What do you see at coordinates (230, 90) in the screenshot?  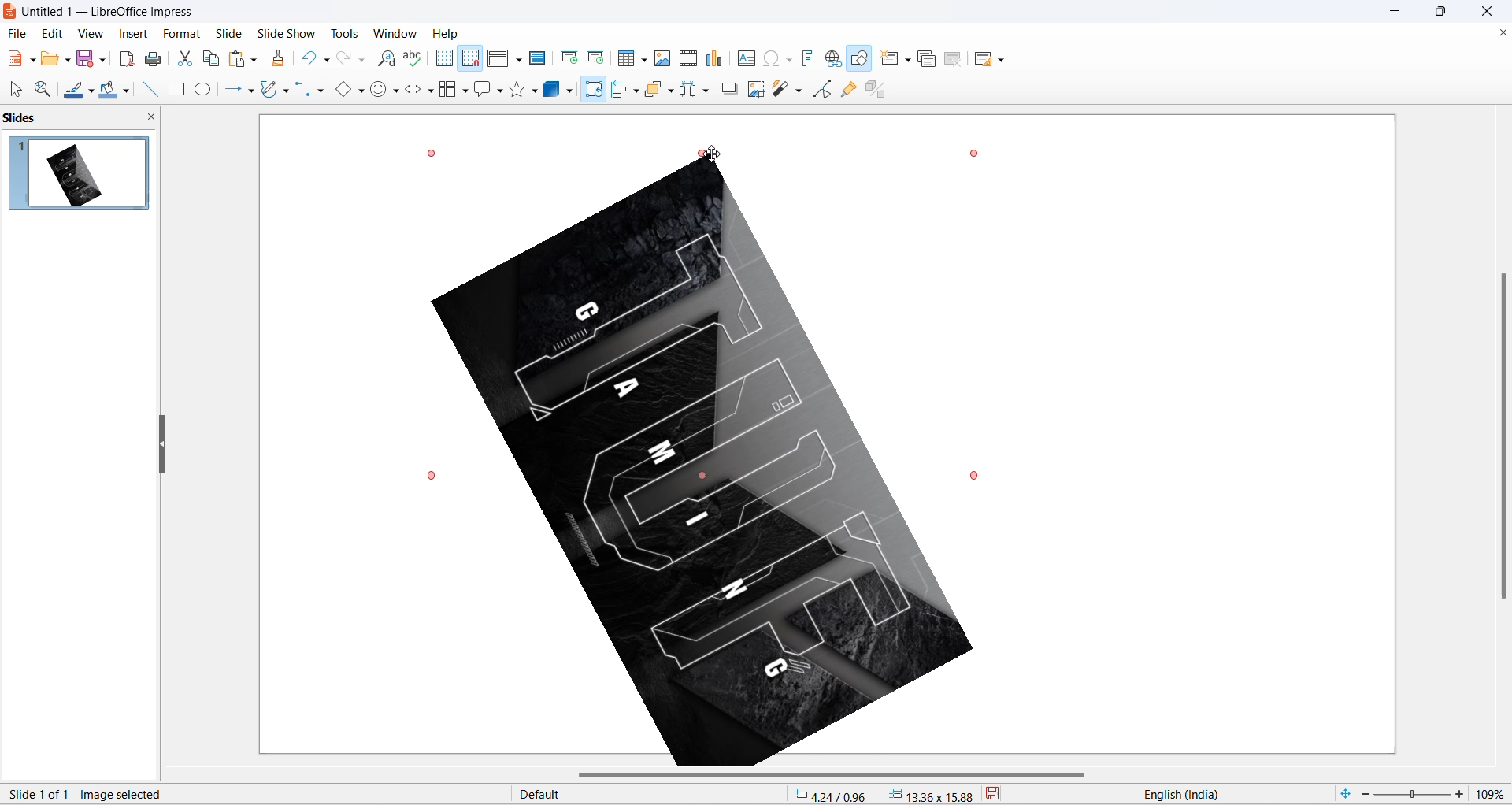 I see `line and arrows` at bounding box center [230, 90].